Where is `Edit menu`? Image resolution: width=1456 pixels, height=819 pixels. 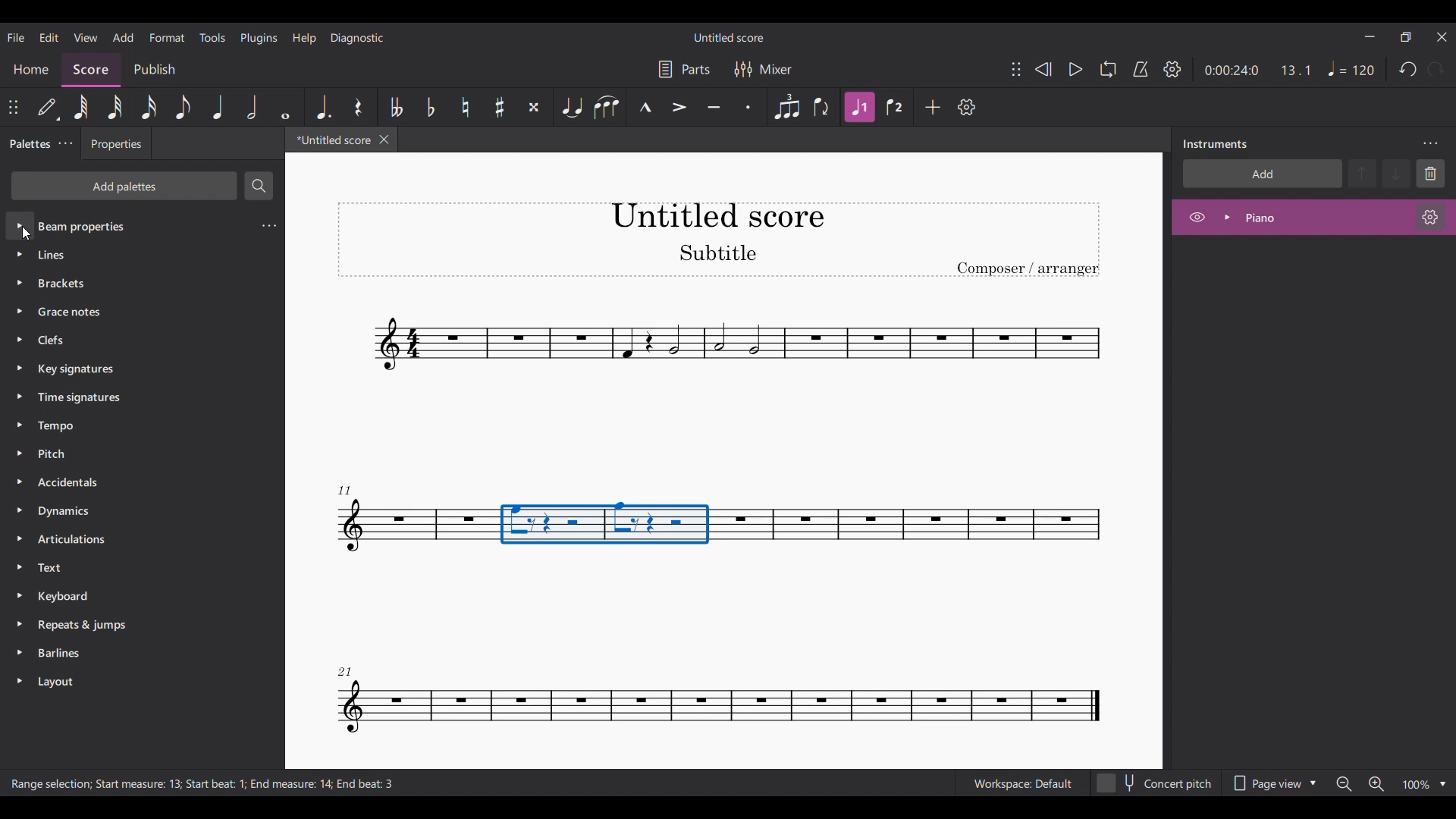 Edit menu is located at coordinates (49, 37).